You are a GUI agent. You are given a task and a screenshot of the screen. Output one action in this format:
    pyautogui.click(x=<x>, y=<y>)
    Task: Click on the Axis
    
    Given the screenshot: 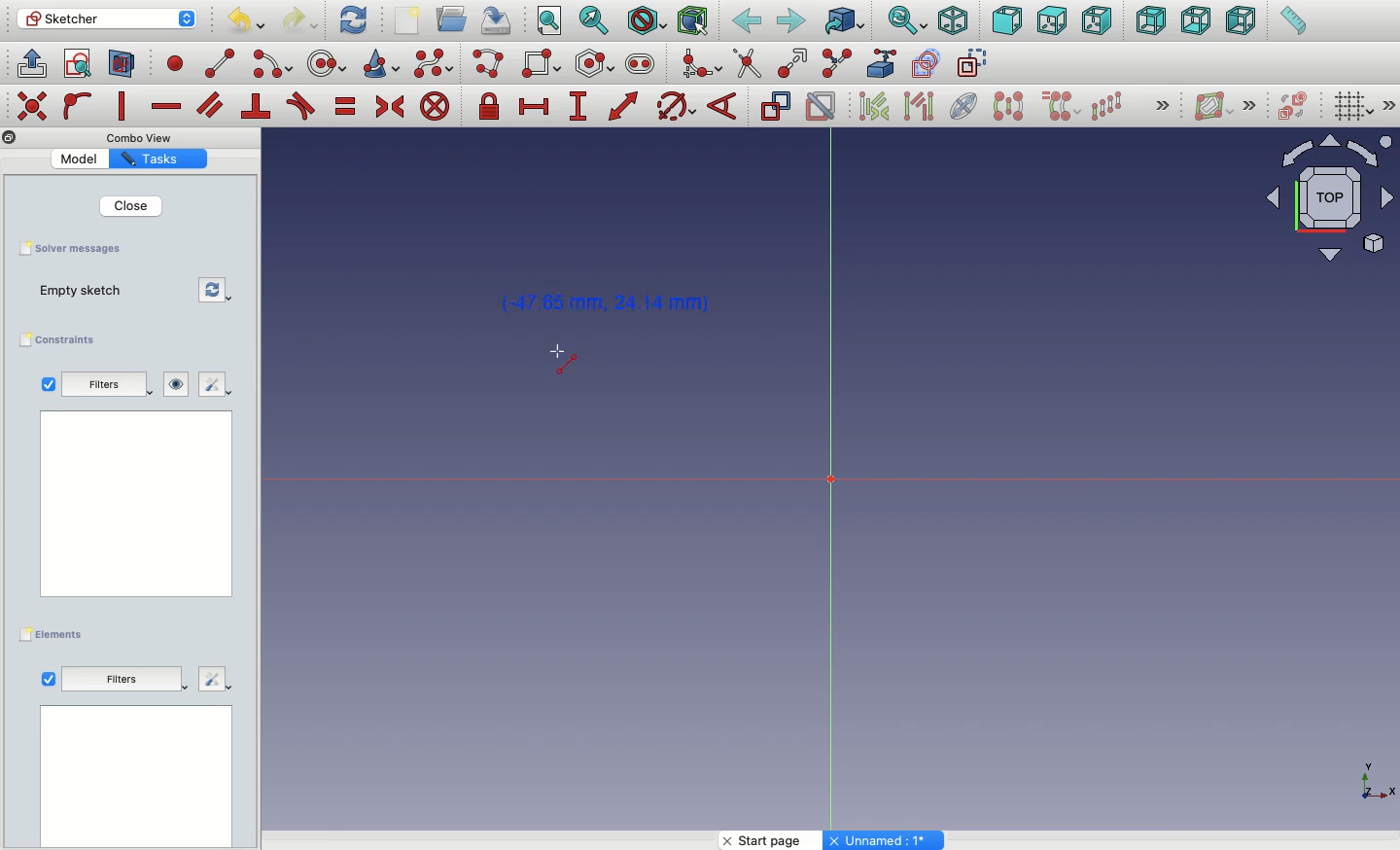 What is the action you would take?
    pyautogui.click(x=831, y=485)
    